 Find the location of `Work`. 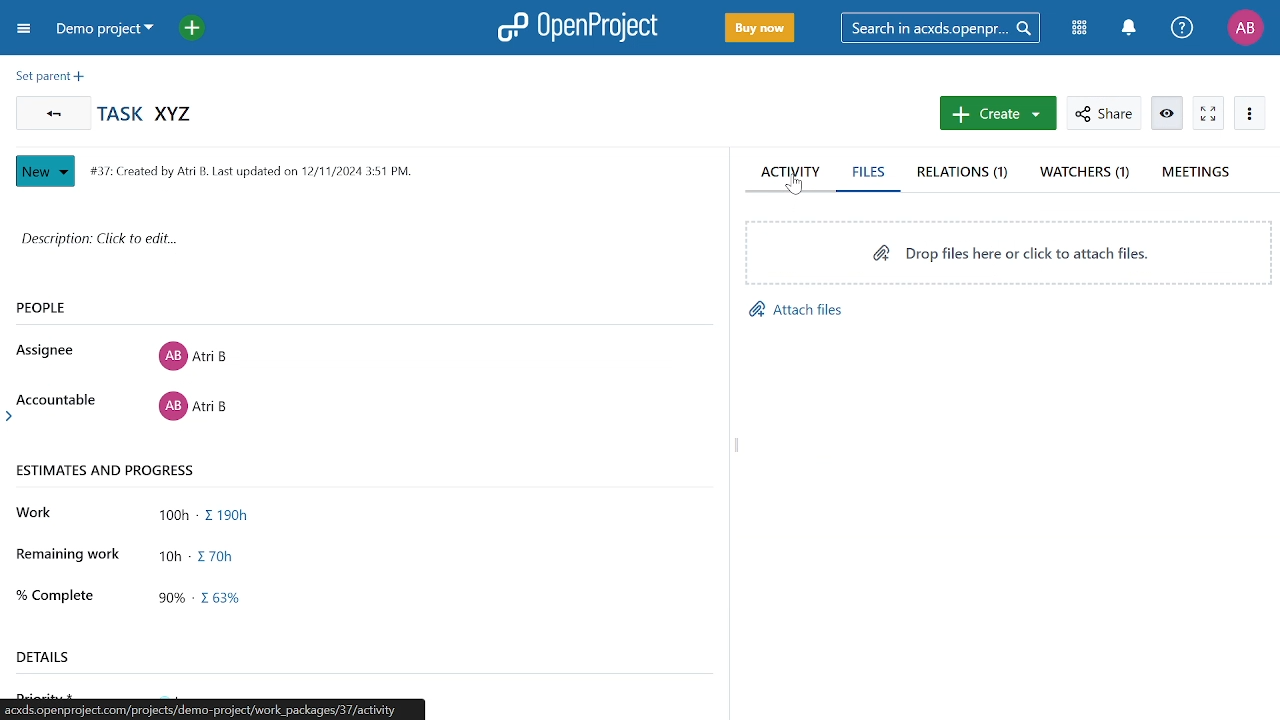

Work is located at coordinates (43, 513).